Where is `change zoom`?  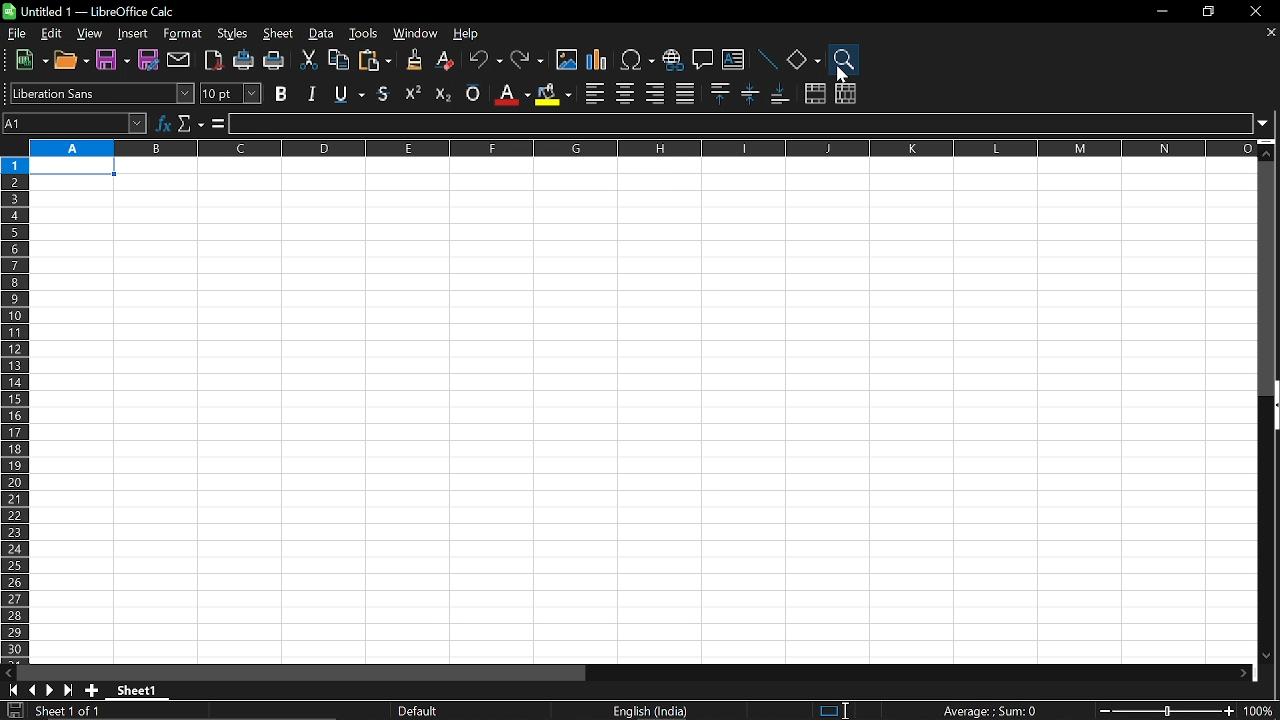
change zoom is located at coordinates (1166, 712).